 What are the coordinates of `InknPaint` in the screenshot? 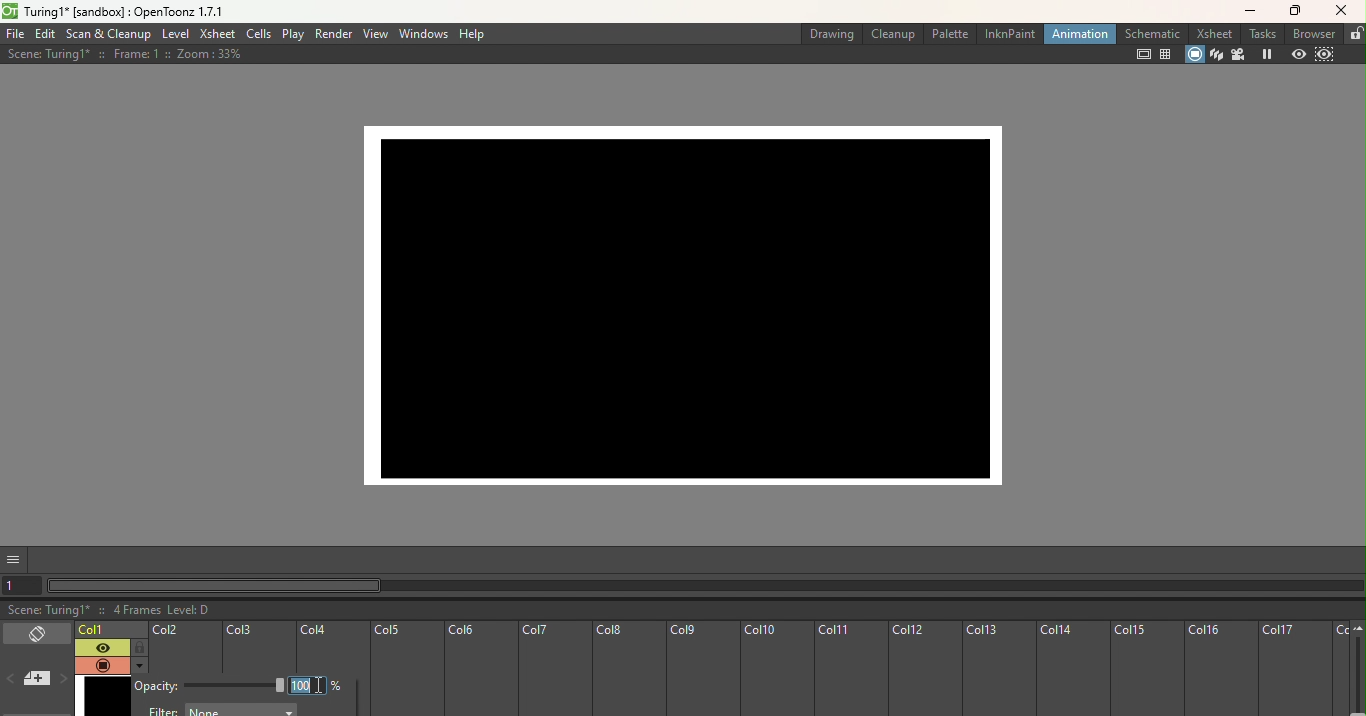 It's located at (1008, 33).